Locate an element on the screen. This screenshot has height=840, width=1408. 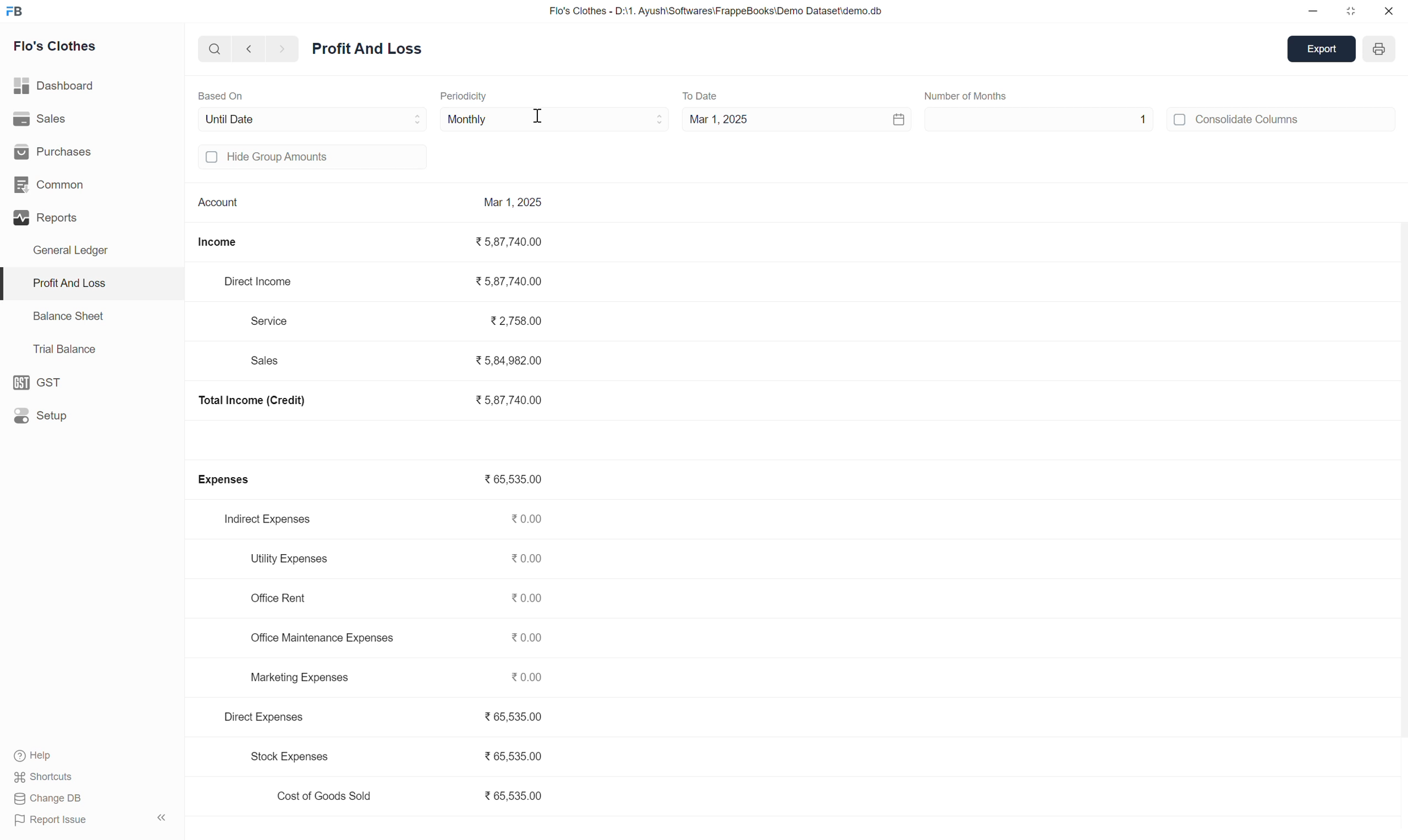
Dashboard is located at coordinates (59, 85).